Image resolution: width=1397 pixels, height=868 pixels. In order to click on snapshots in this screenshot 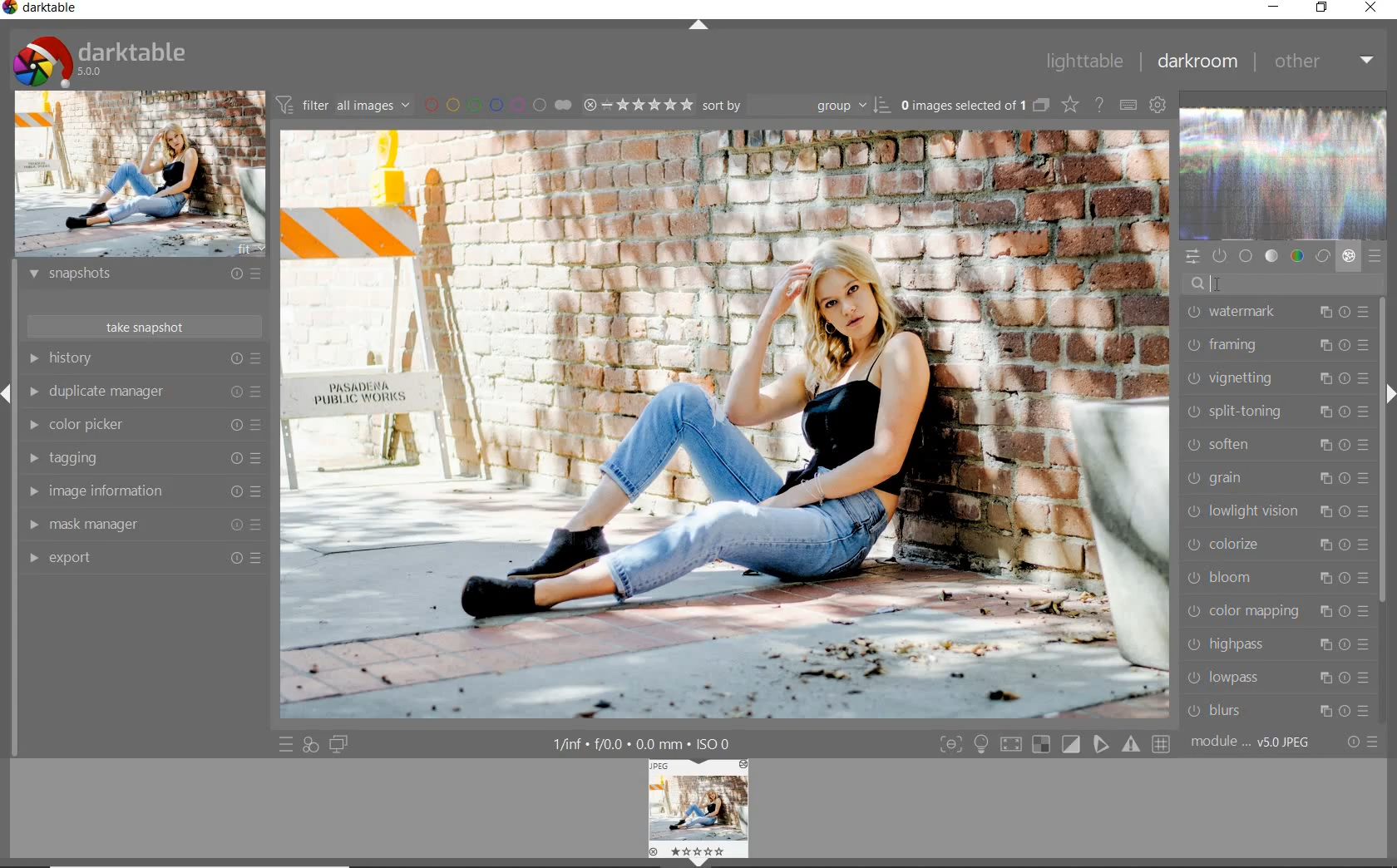, I will do `click(144, 277)`.